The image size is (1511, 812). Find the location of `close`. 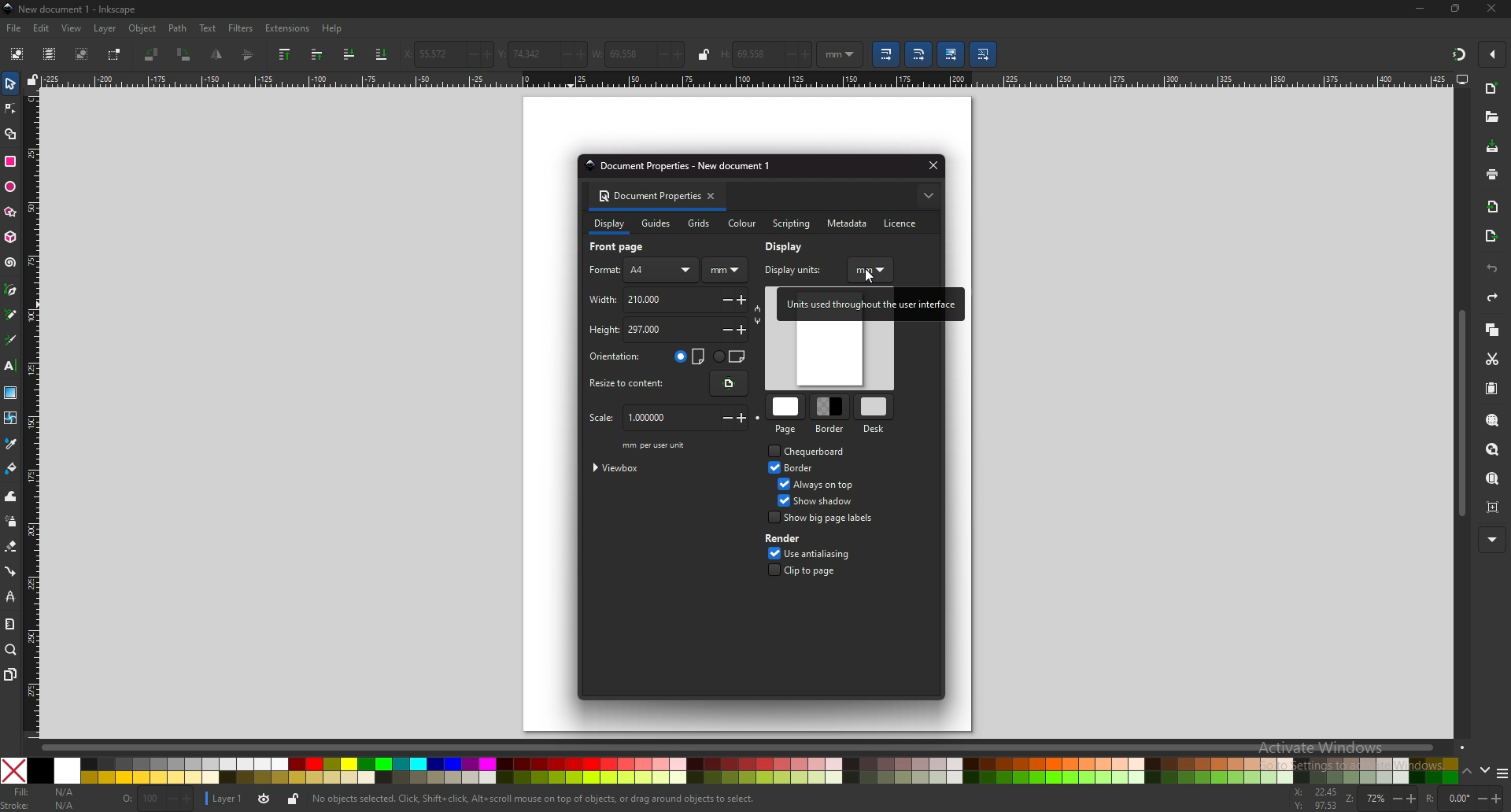

close is located at coordinates (930, 165).